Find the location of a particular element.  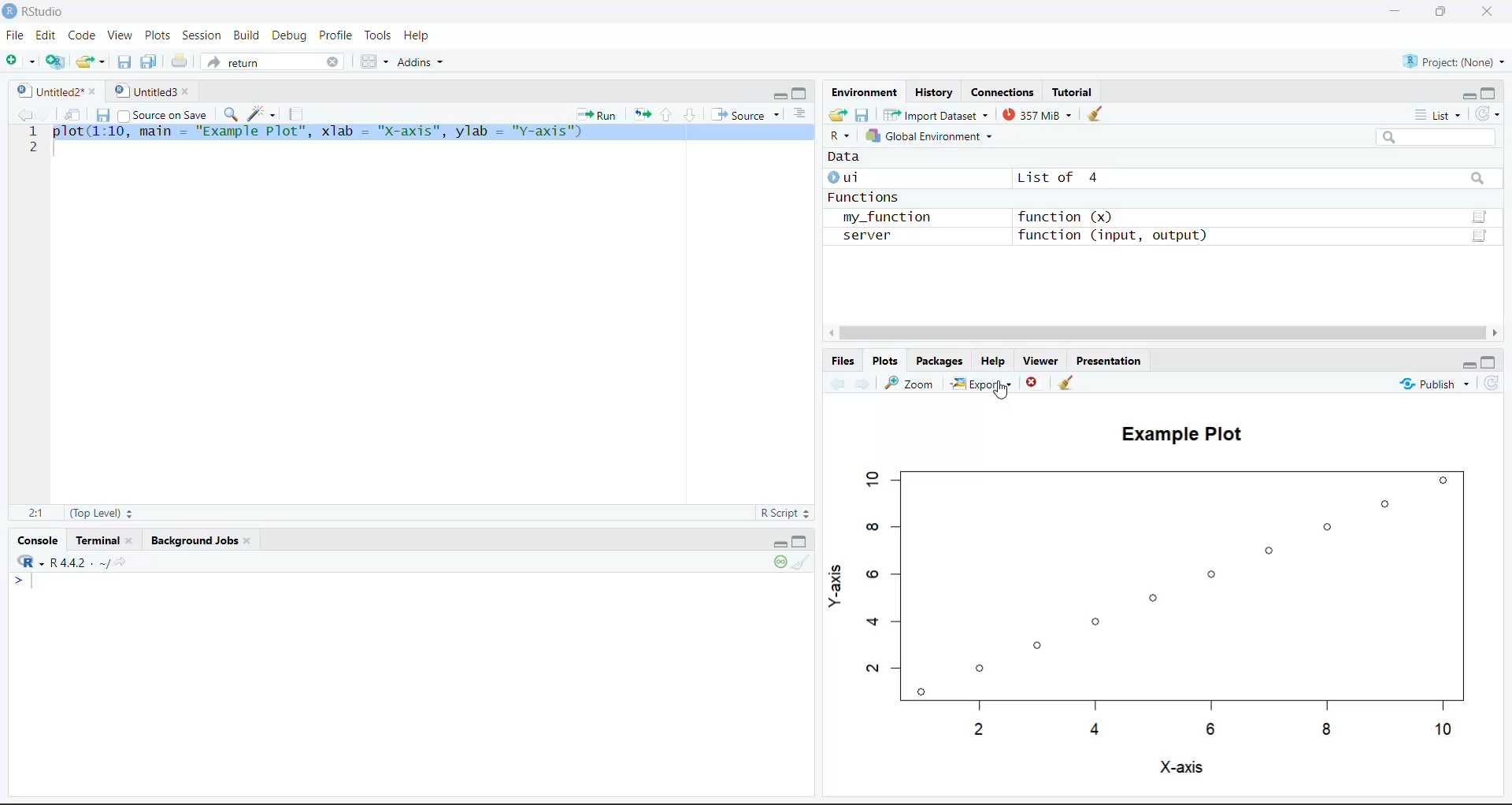

Searchbar is located at coordinates (1477, 180).